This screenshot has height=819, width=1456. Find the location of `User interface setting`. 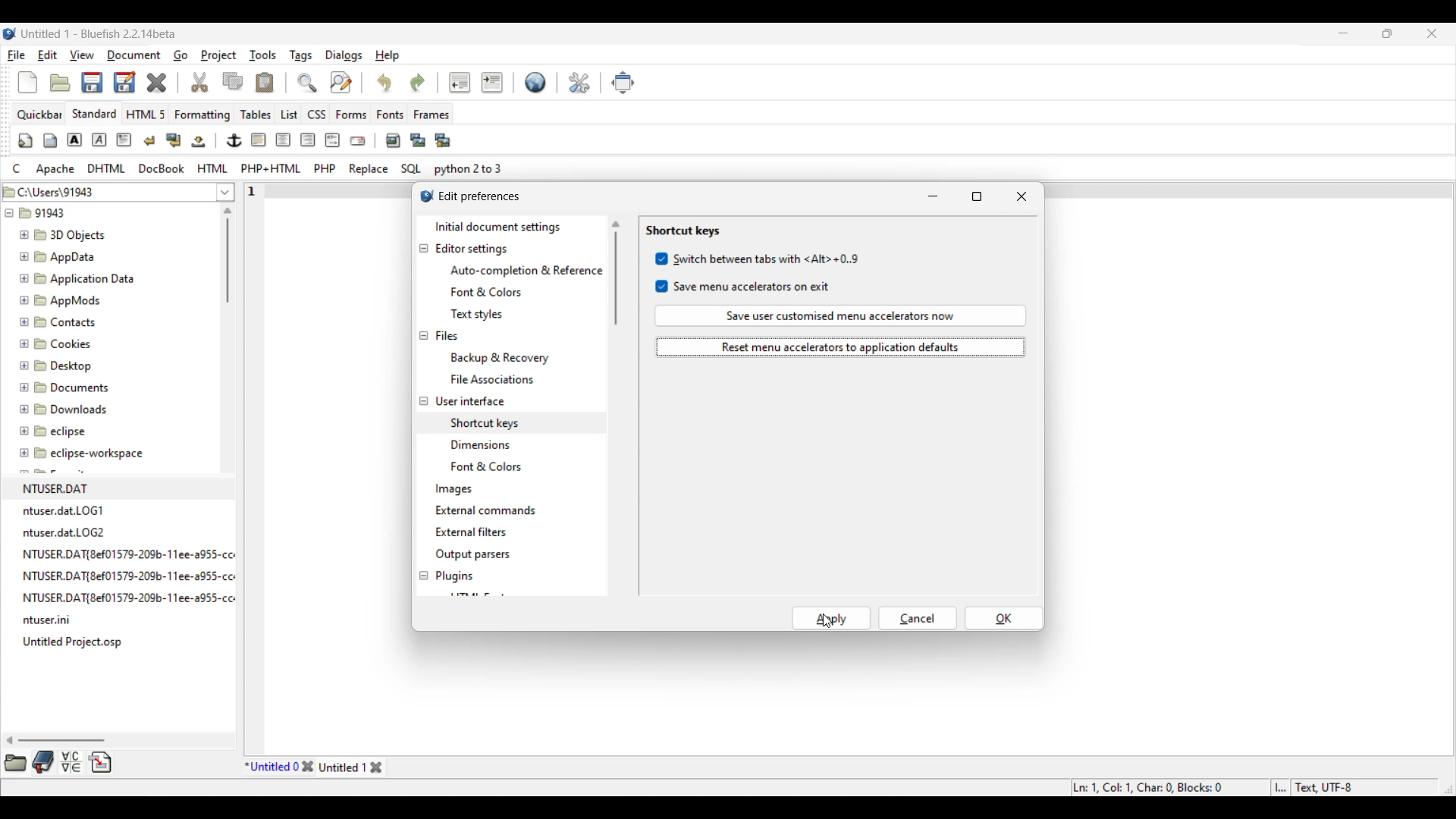

User interface setting is located at coordinates (470, 401).